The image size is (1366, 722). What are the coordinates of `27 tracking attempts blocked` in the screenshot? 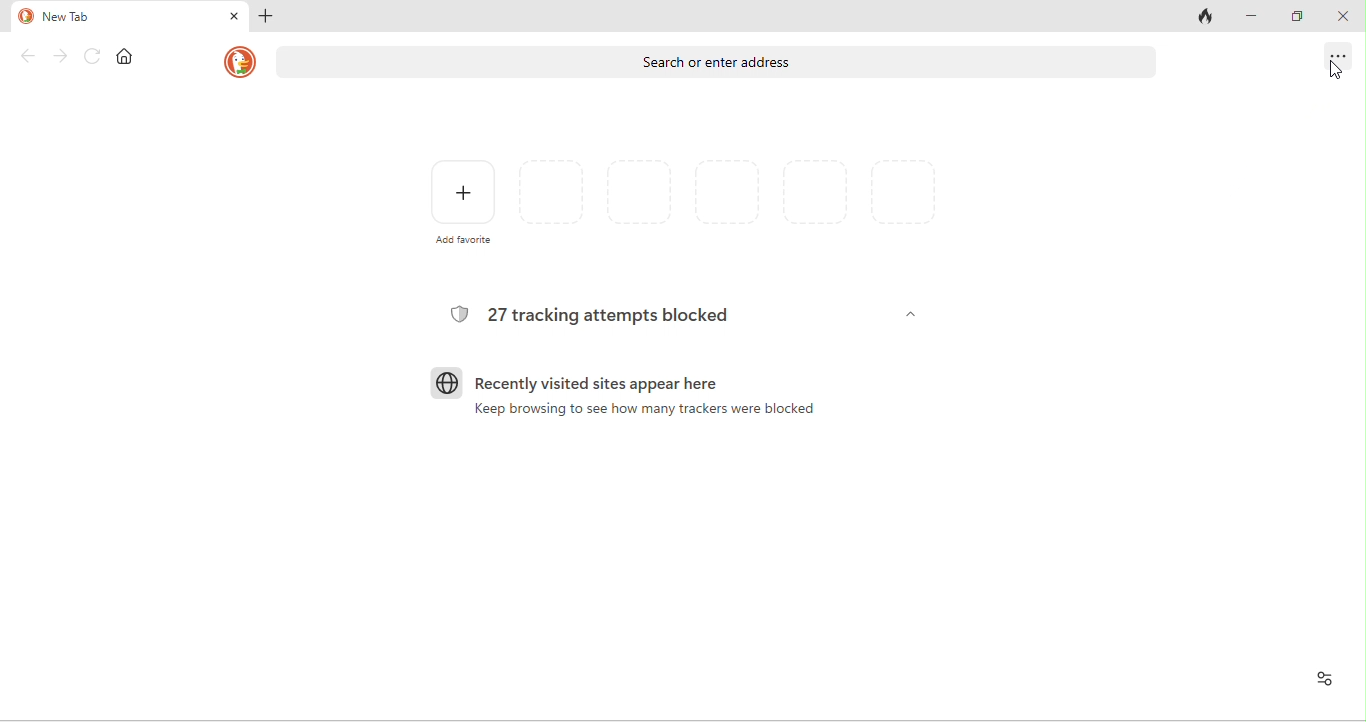 It's located at (615, 313).